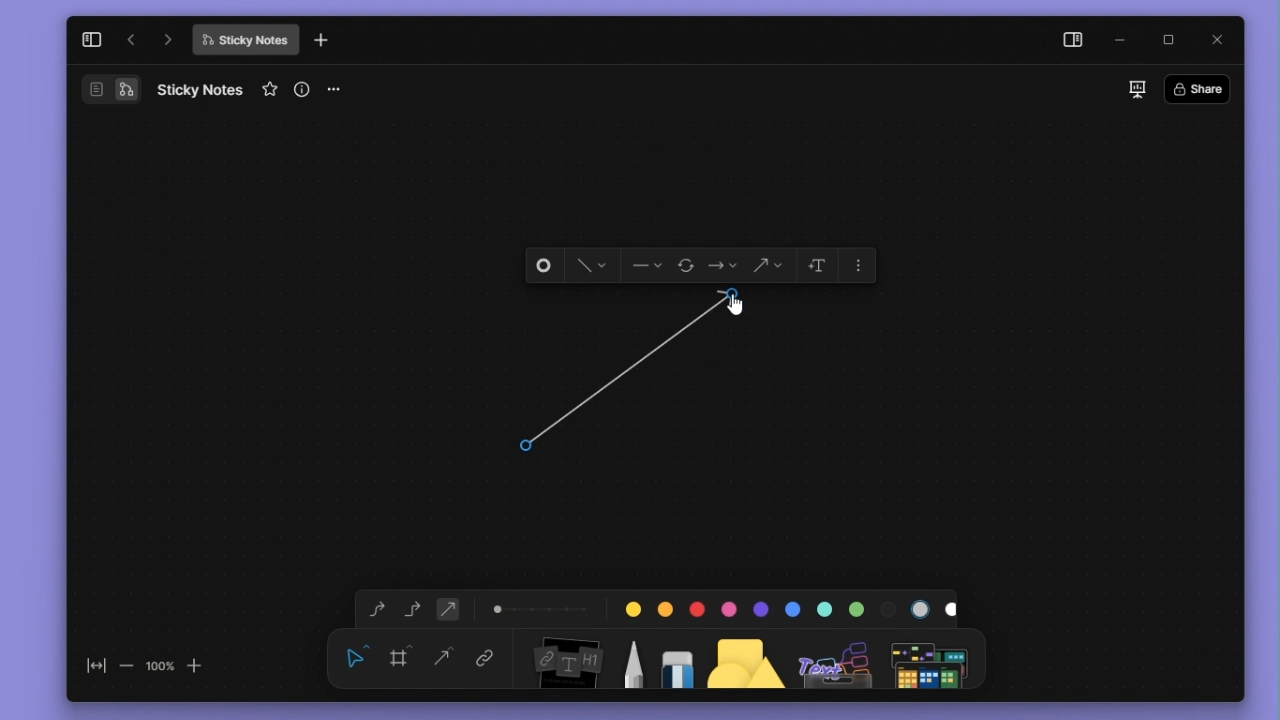 This screenshot has width=1280, height=720. I want to click on file name, so click(245, 40).